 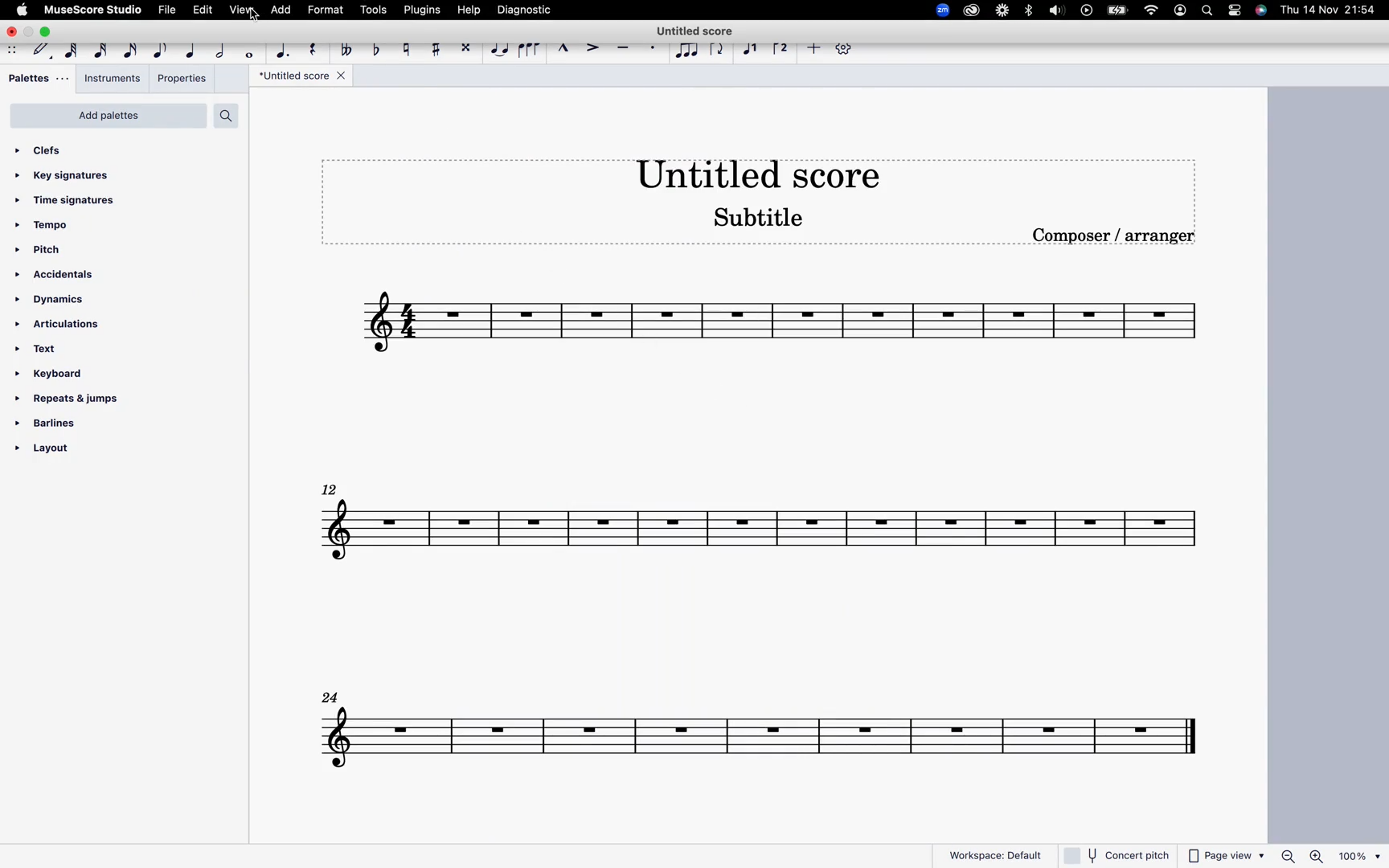 I want to click on battery, so click(x=1121, y=12).